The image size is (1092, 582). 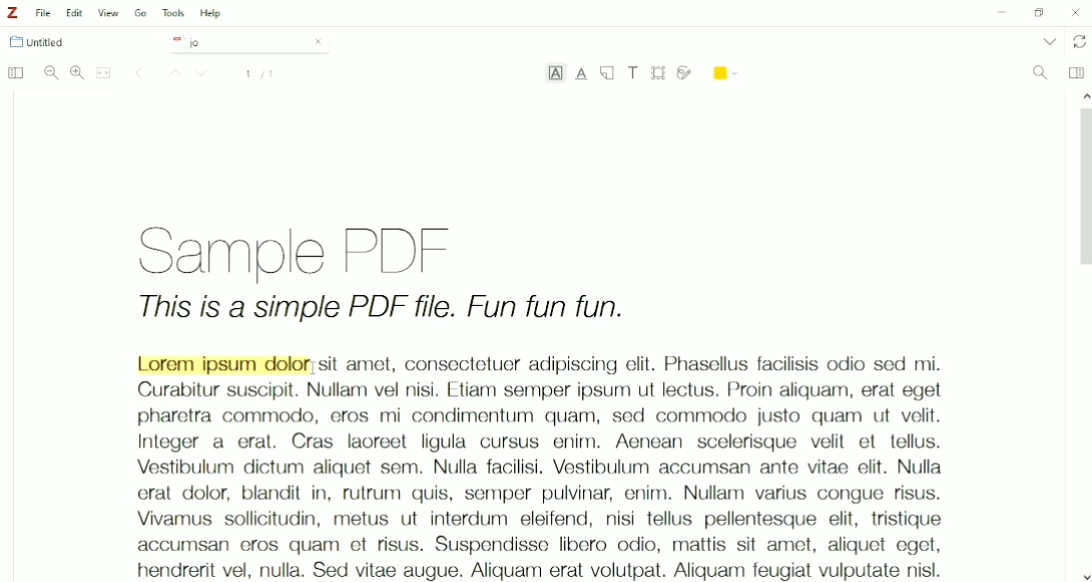 I want to click on Select Area, so click(x=659, y=72).